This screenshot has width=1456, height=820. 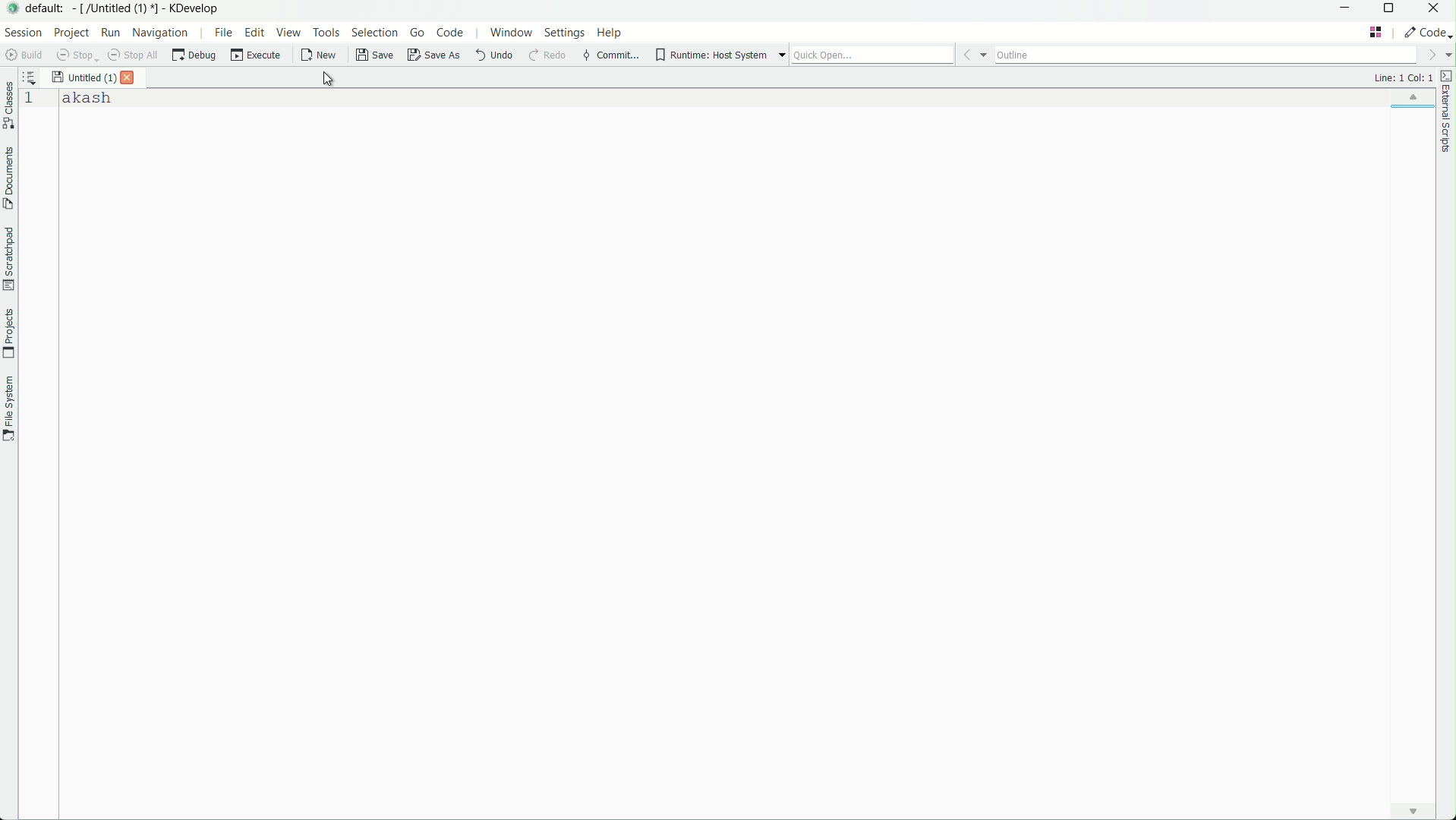 What do you see at coordinates (1395, 10) in the screenshot?
I see `maximize or restore` at bounding box center [1395, 10].